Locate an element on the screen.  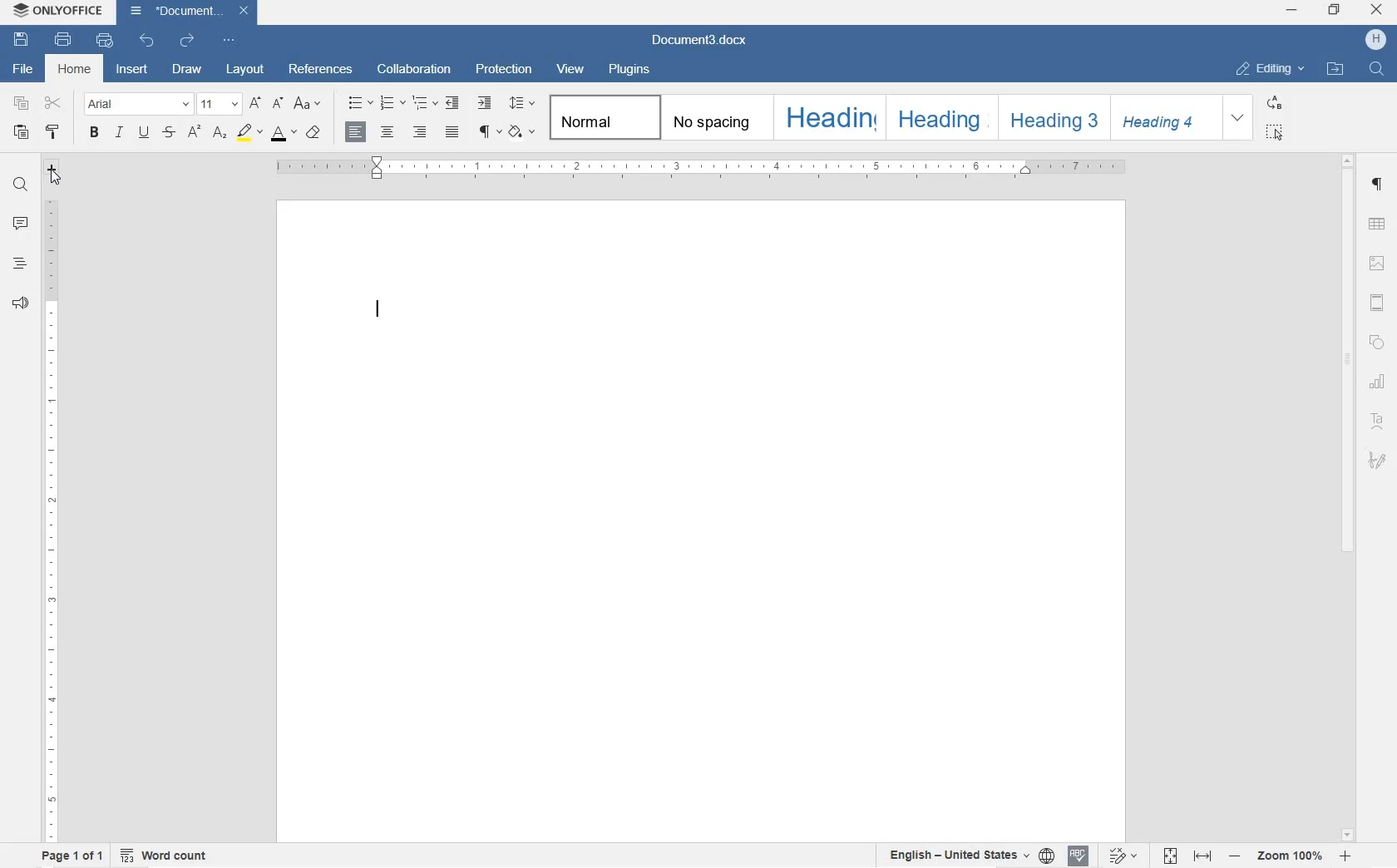
FIND is located at coordinates (21, 186).